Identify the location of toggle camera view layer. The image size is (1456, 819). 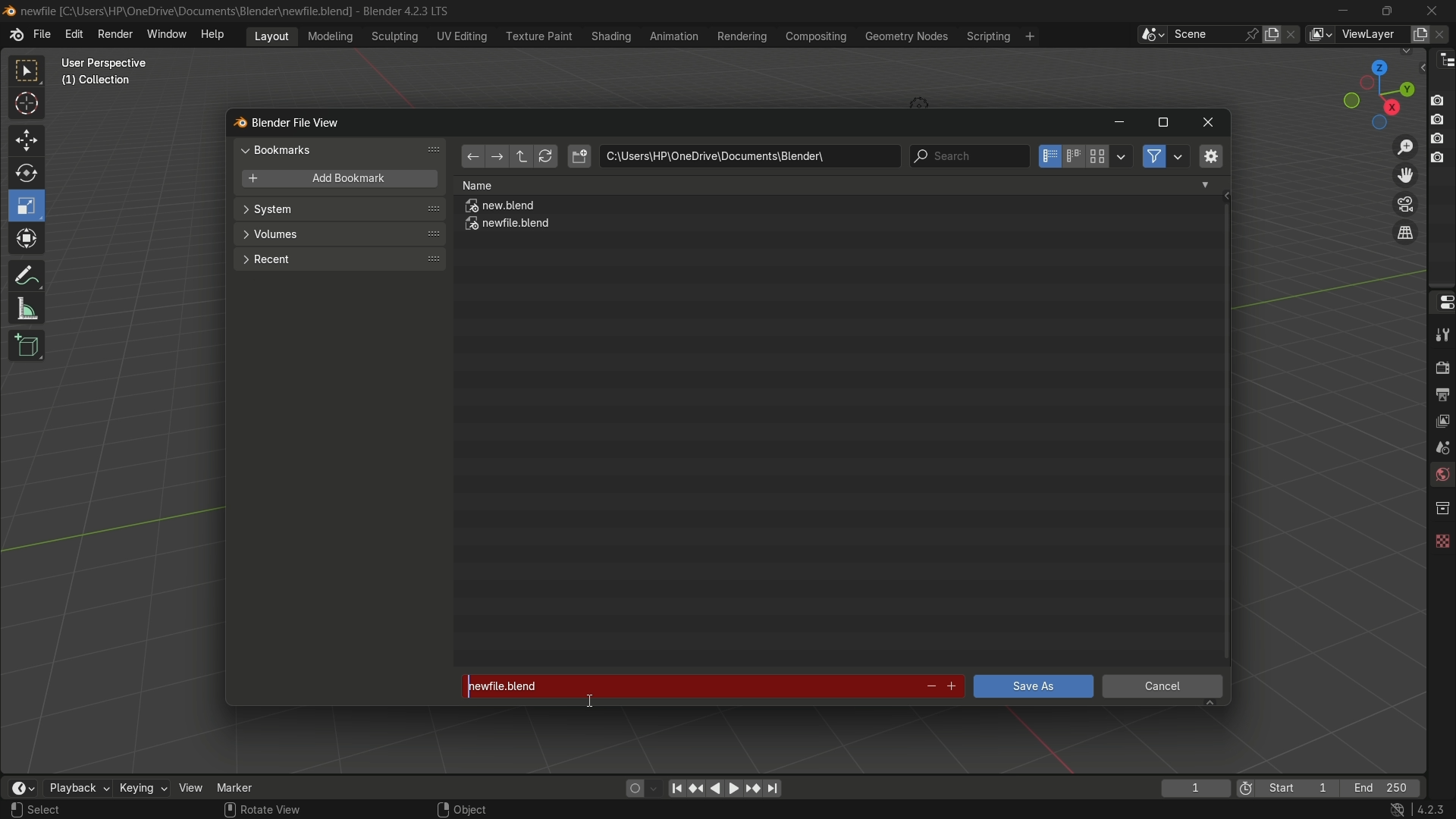
(1405, 202).